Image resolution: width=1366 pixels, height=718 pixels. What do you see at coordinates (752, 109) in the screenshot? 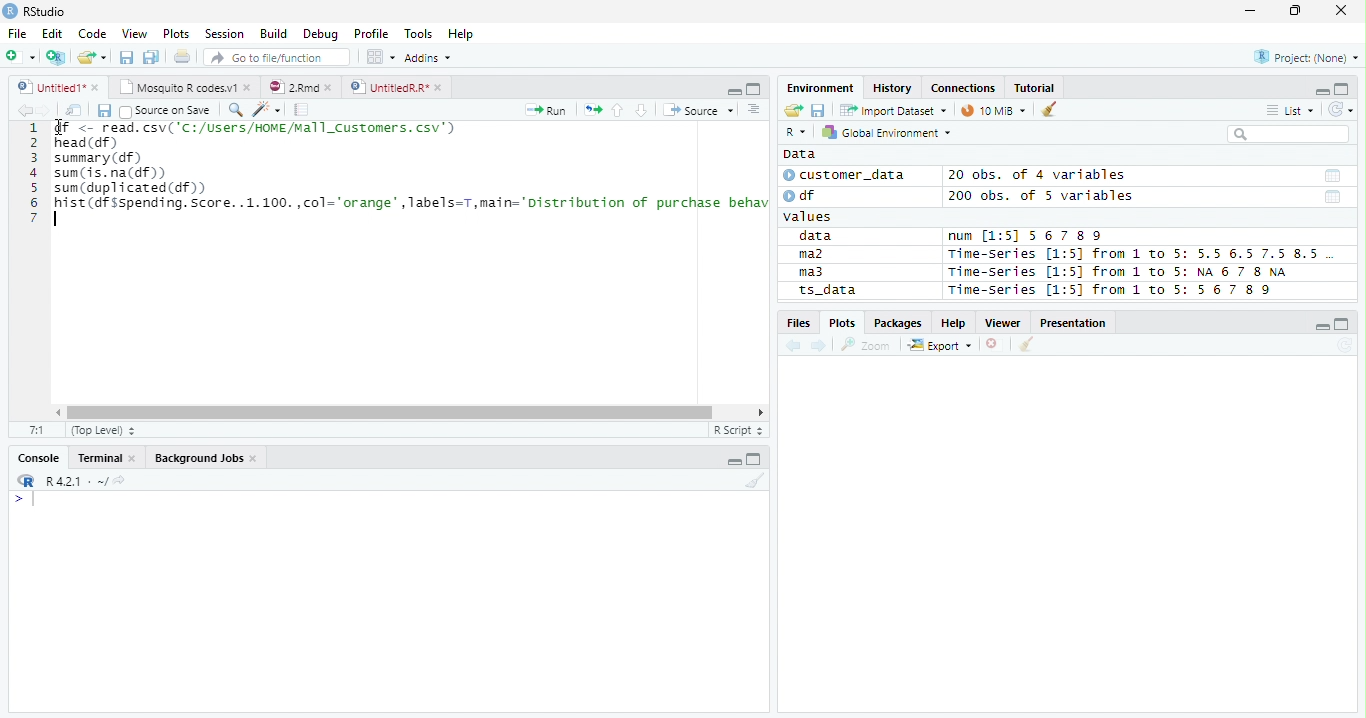
I see `Show document outline` at bounding box center [752, 109].